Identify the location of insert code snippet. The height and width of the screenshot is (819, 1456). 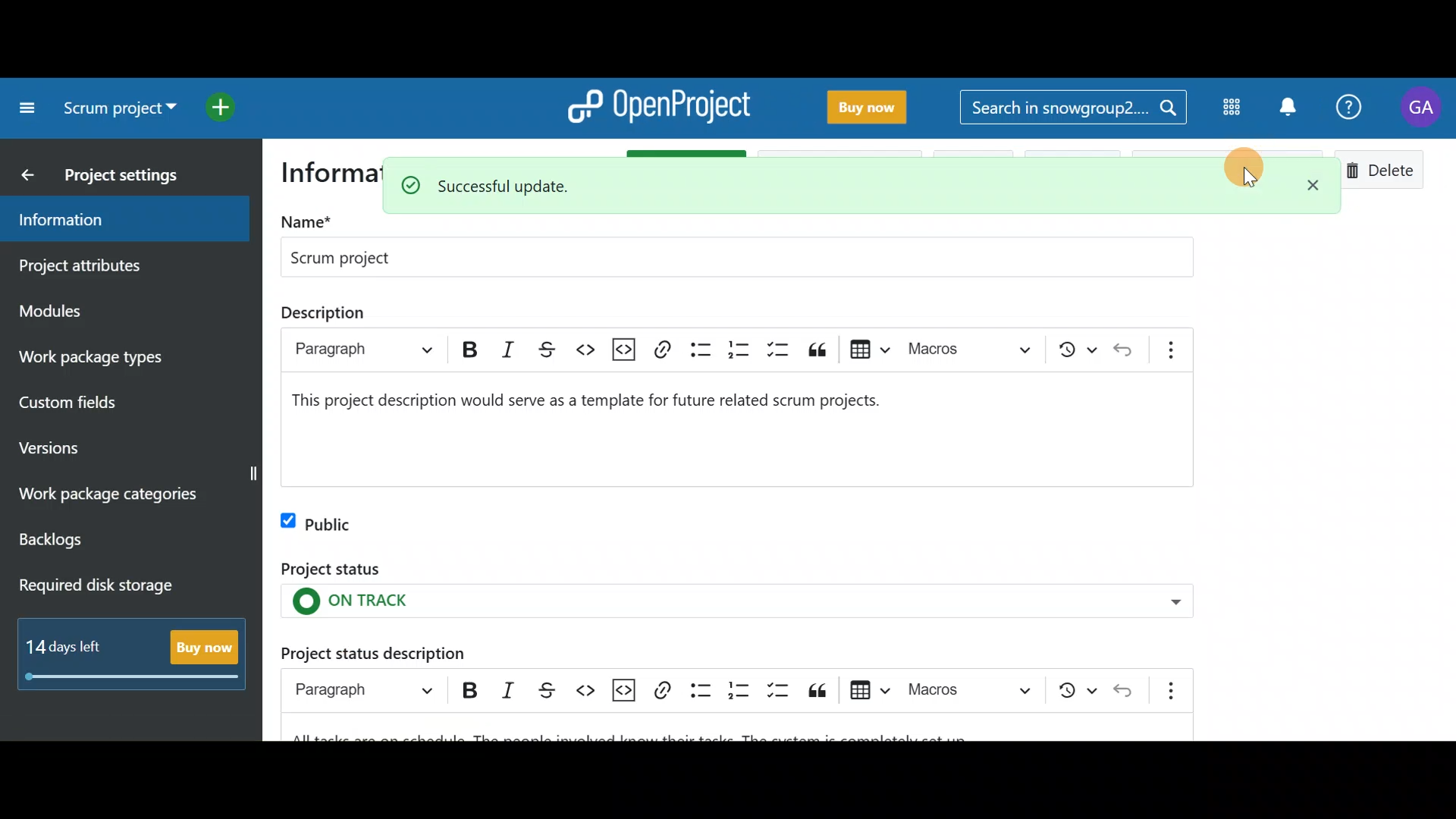
(625, 349).